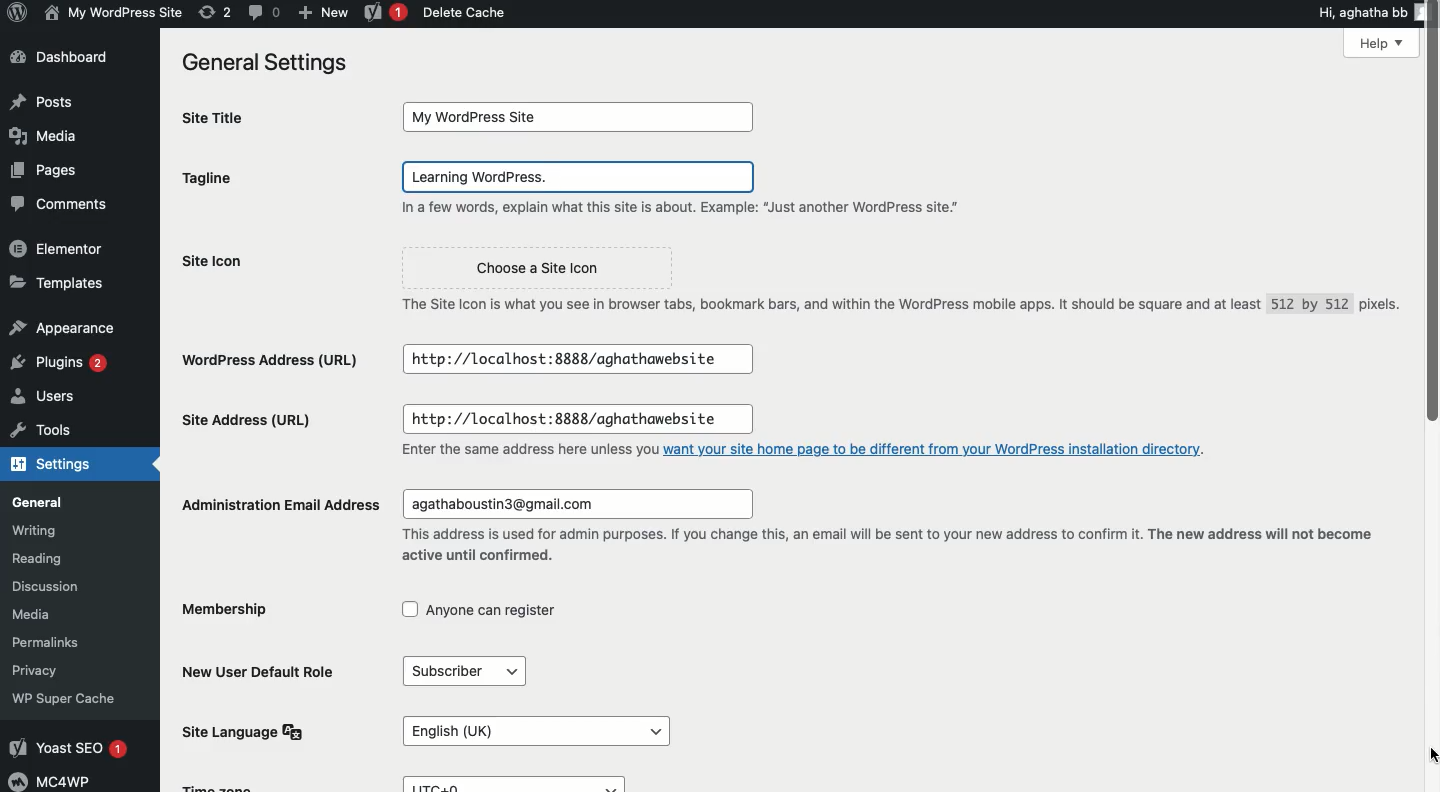 This screenshot has width=1440, height=792. What do you see at coordinates (462, 669) in the screenshot?
I see `Subscriber` at bounding box center [462, 669].